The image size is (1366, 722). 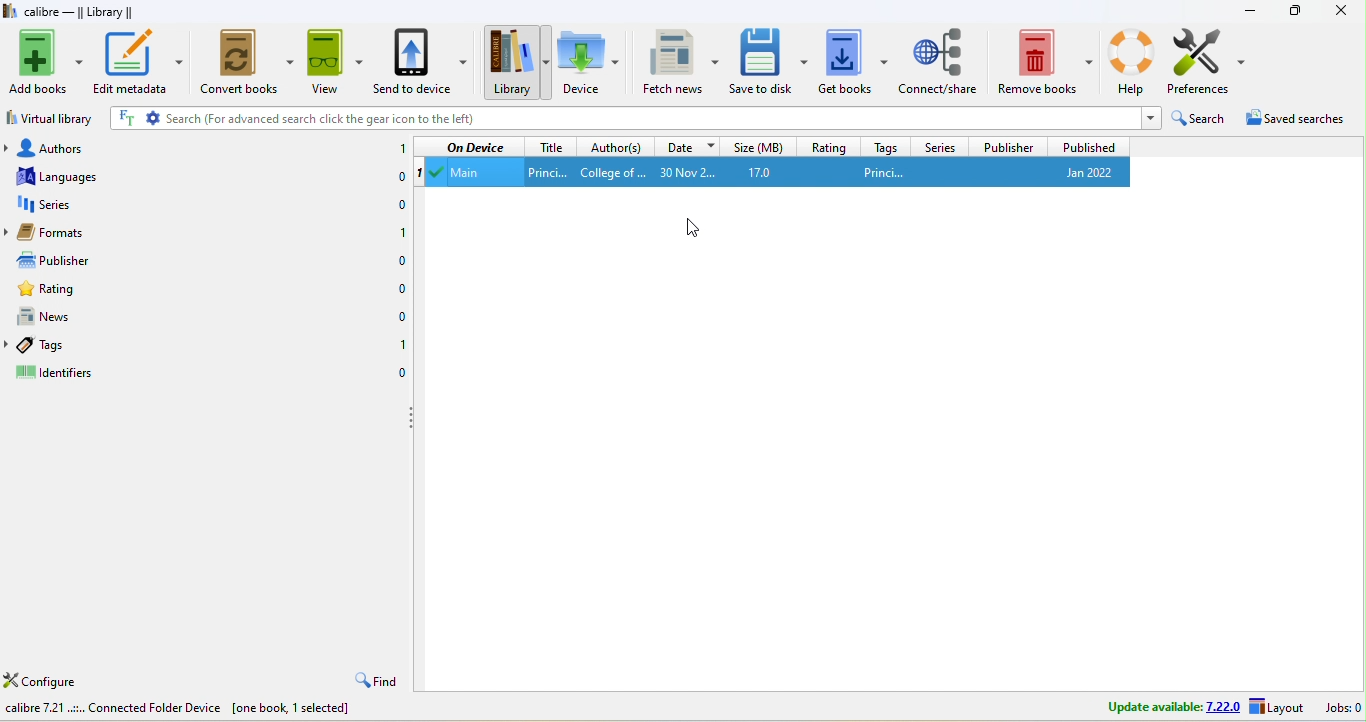 What do you see at coordinates (686, 145) in the screenshot?
I see `date` at bounding box center [686, 145].